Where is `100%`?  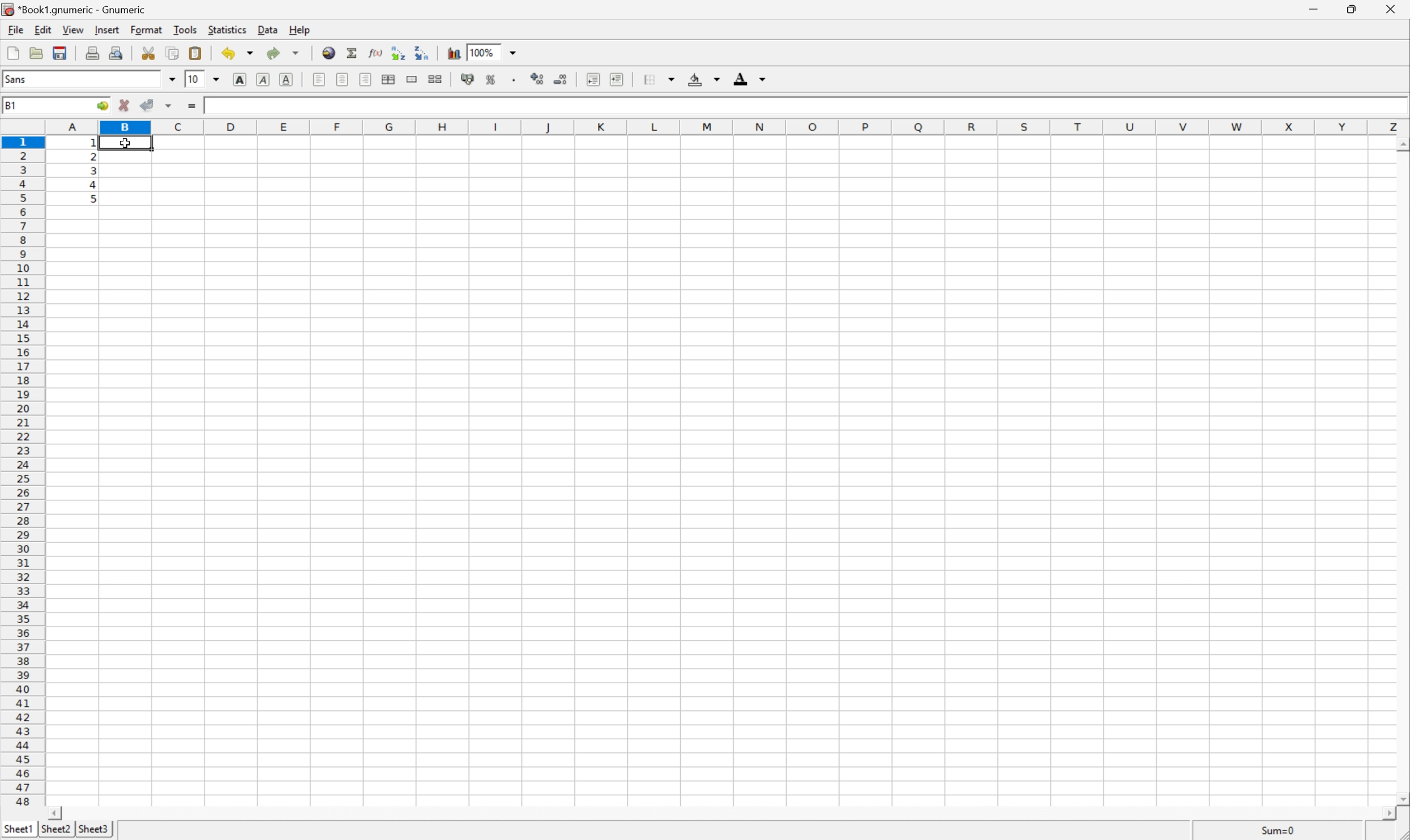 100% is located at coordinates (484, 52).